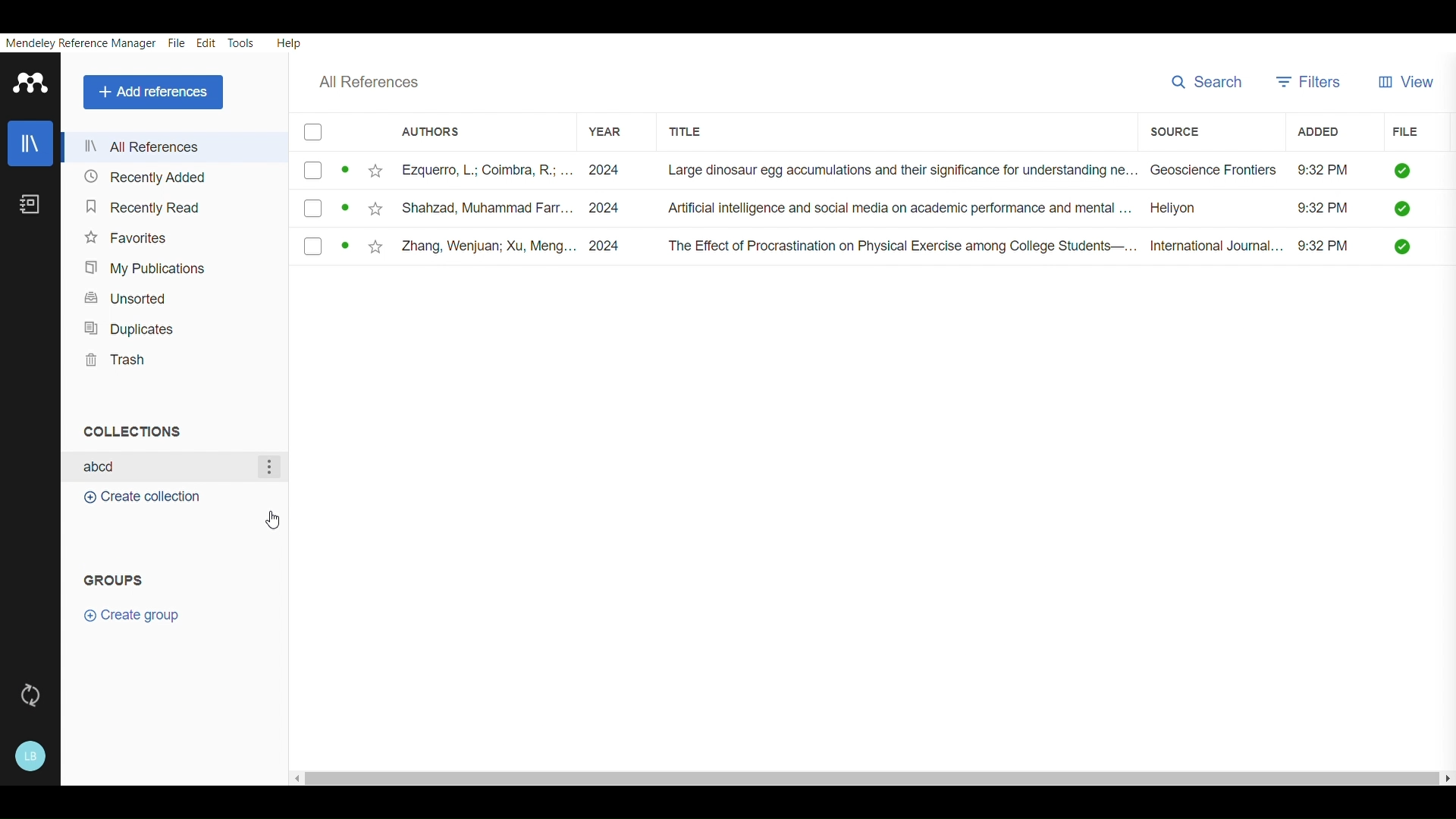 The height and width of the screenshot is (819, 1456). Describe the element at coordinates (612, 245) in the screenshot. I see `2024` at that location.